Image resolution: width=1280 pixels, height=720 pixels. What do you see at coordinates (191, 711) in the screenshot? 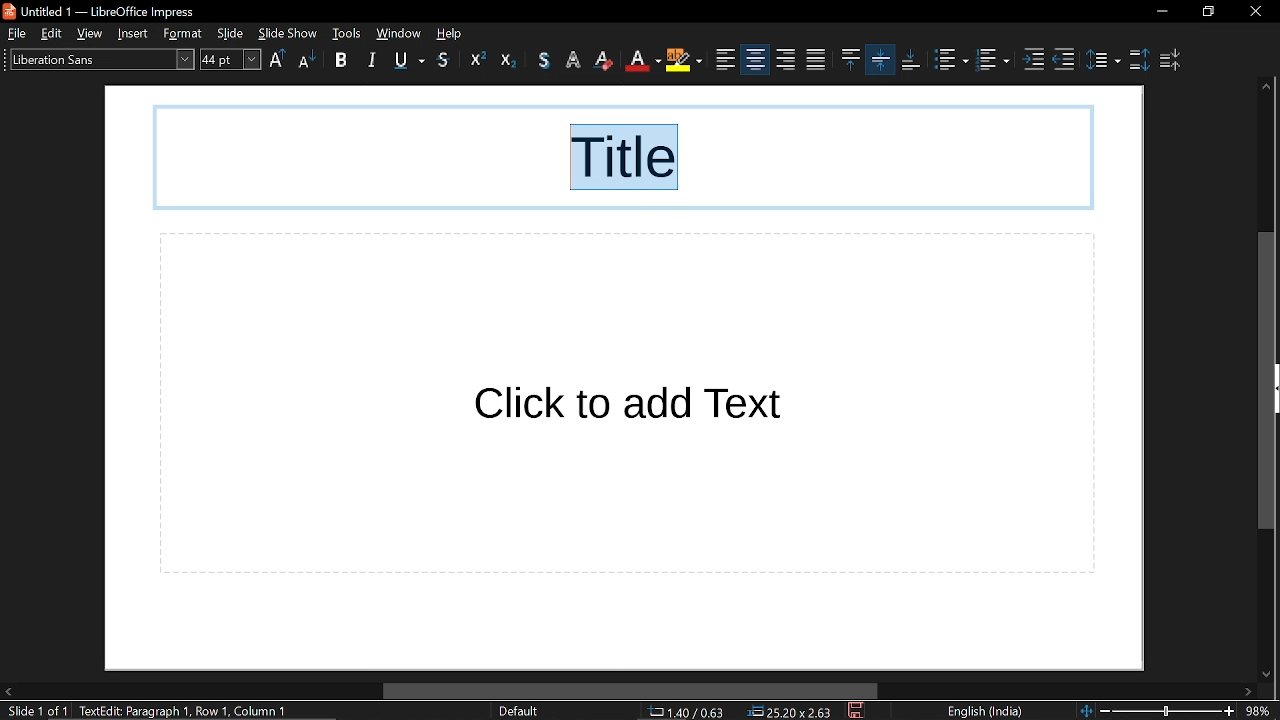
I see `text: edit paragraph 1, row 1, column 6` at bounding box center [191, 711].